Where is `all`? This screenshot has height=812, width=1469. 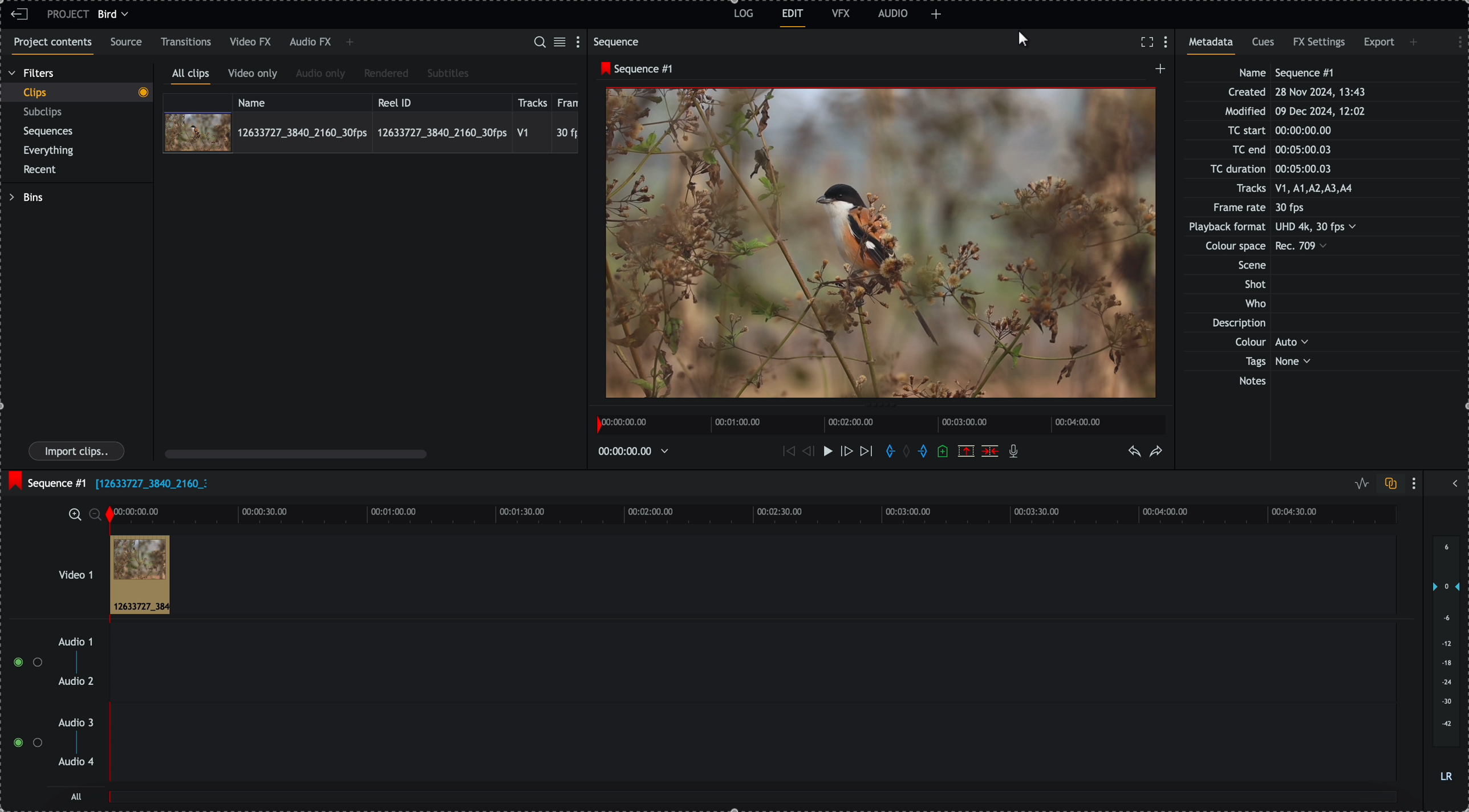
all is located at coordinates (77, 796).